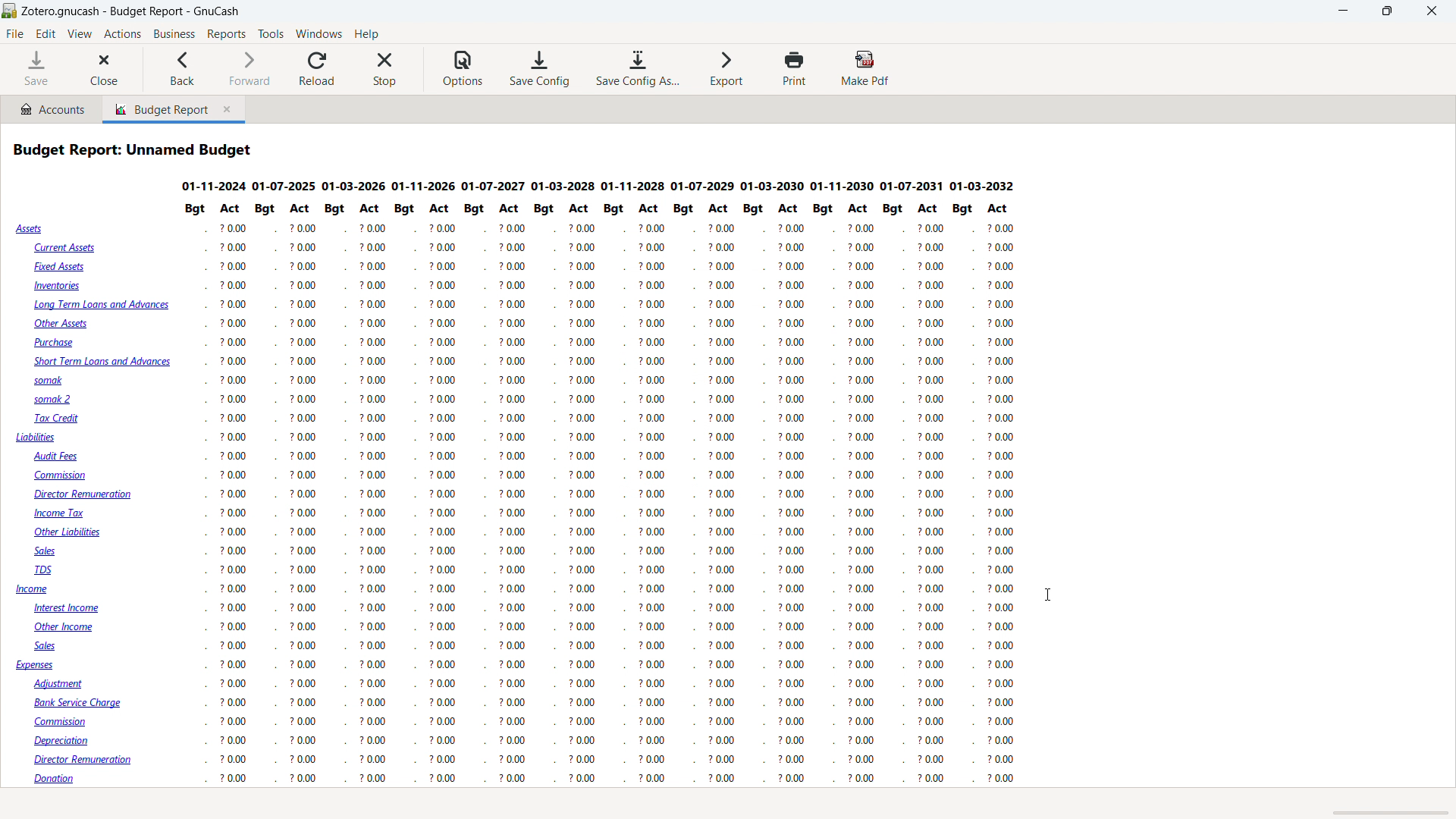 This screenshot has width=1456, height=819. I want to click on columns added, so click(825, 491).